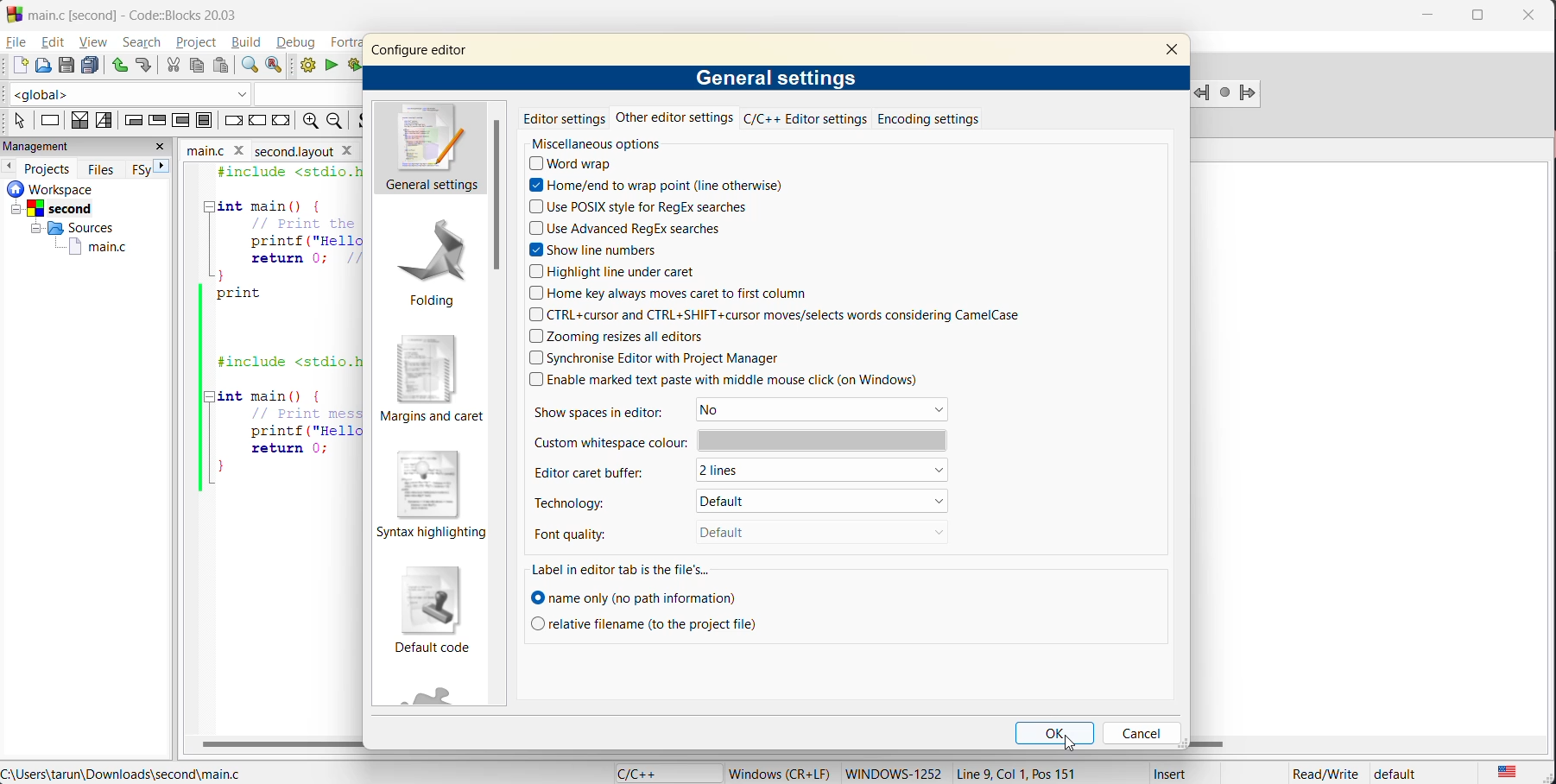 This screenshot has width=1556, height=784. Describe the element at coordinates (781, 472) in the screenshot. I see `2 lines` at that location.